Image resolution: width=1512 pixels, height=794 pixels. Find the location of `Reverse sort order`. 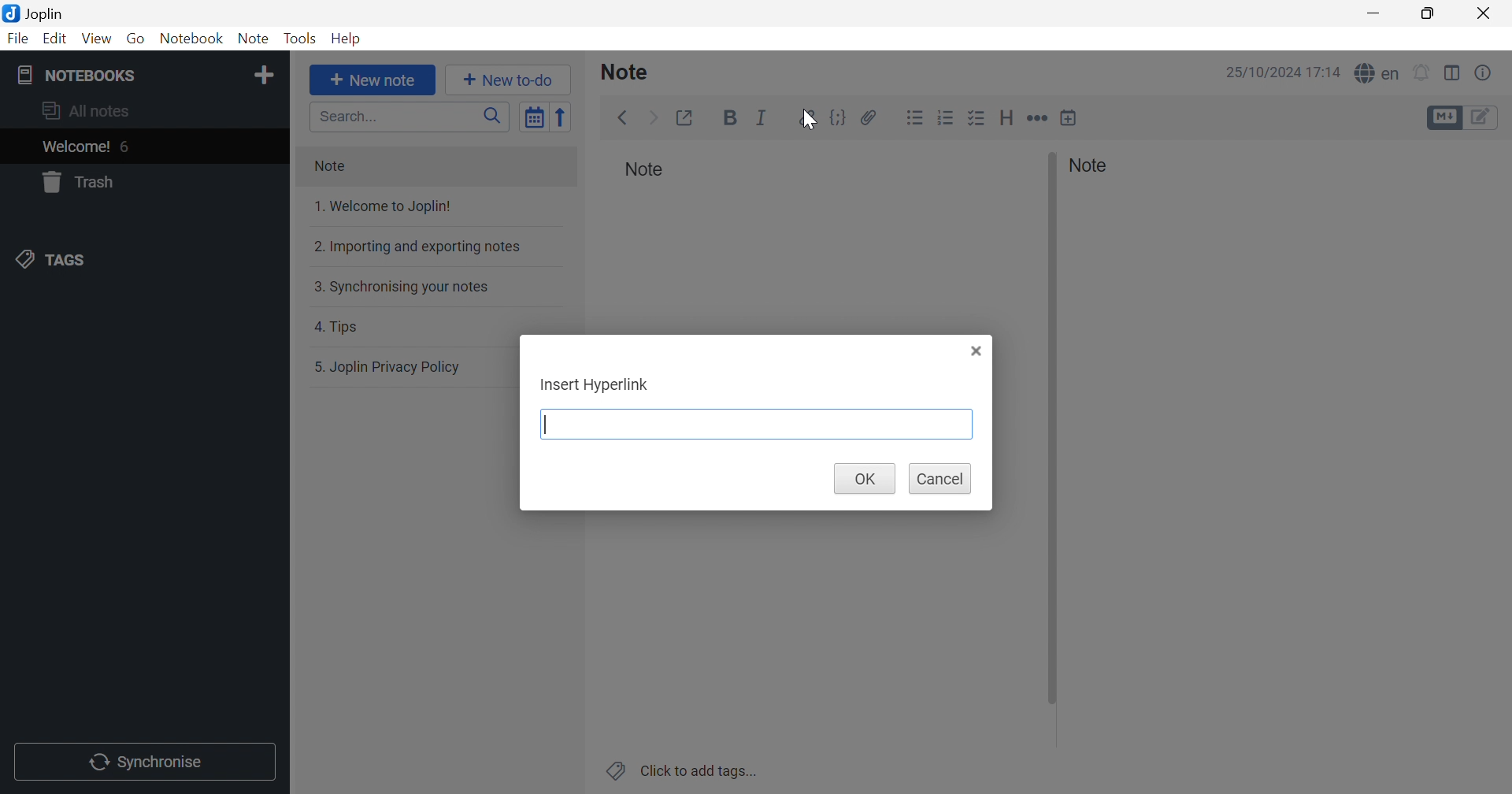

Reverse sort order is located at coordinates (565, 117).